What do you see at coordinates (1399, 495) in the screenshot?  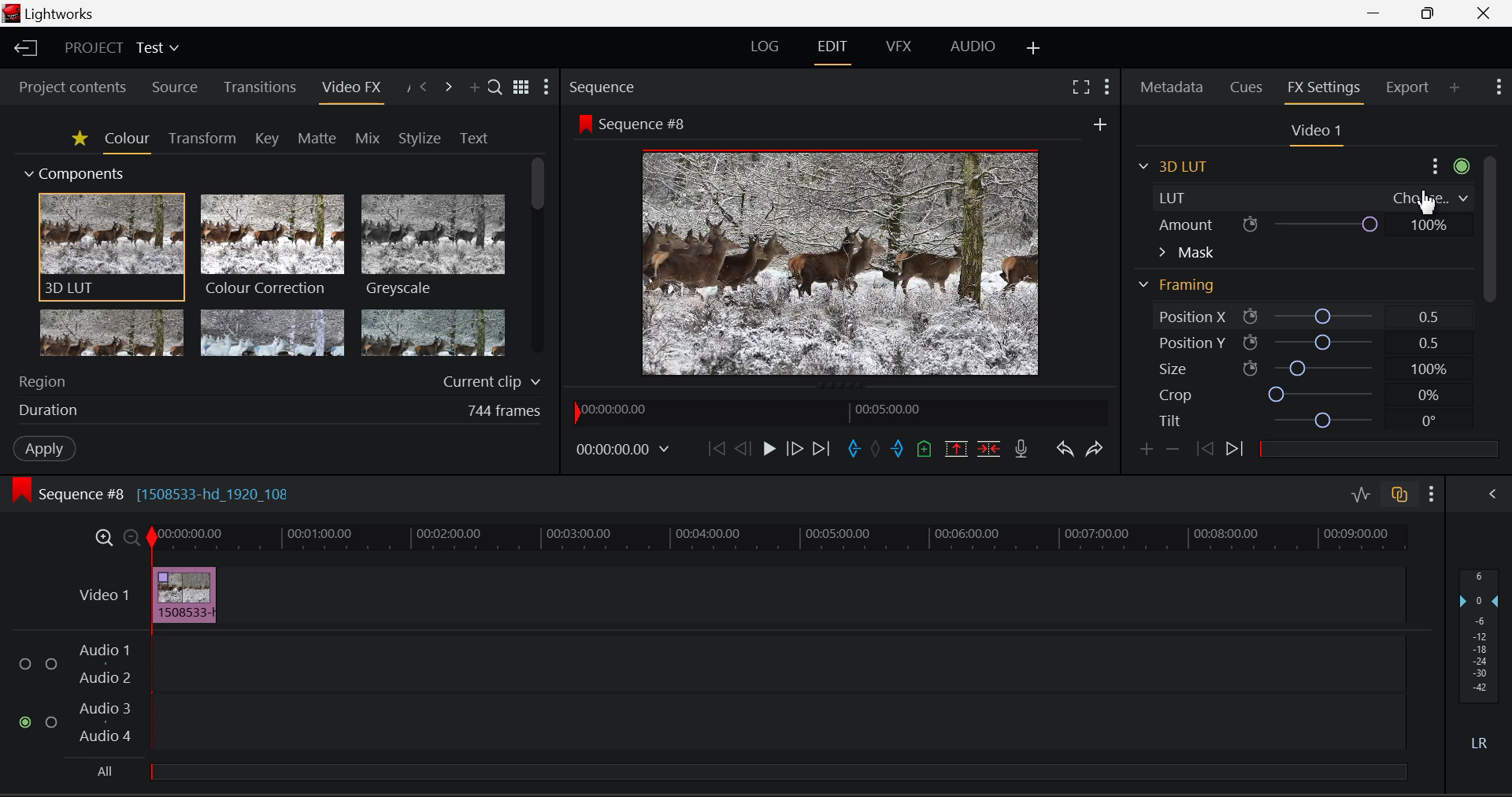 I see `Toggle auto track sync` at bounding box center [1399, 495].